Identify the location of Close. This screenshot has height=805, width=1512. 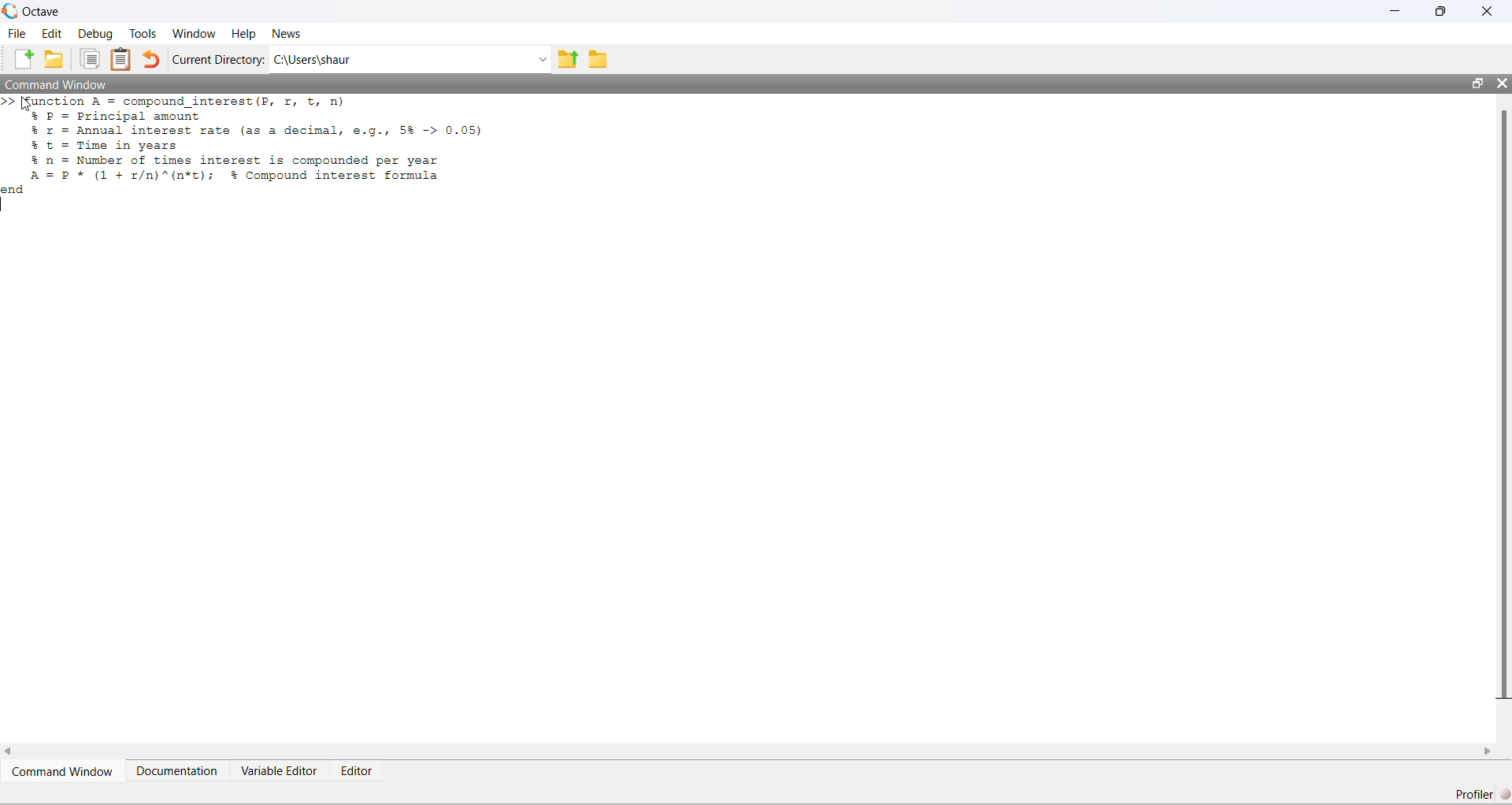
(1488, 12).